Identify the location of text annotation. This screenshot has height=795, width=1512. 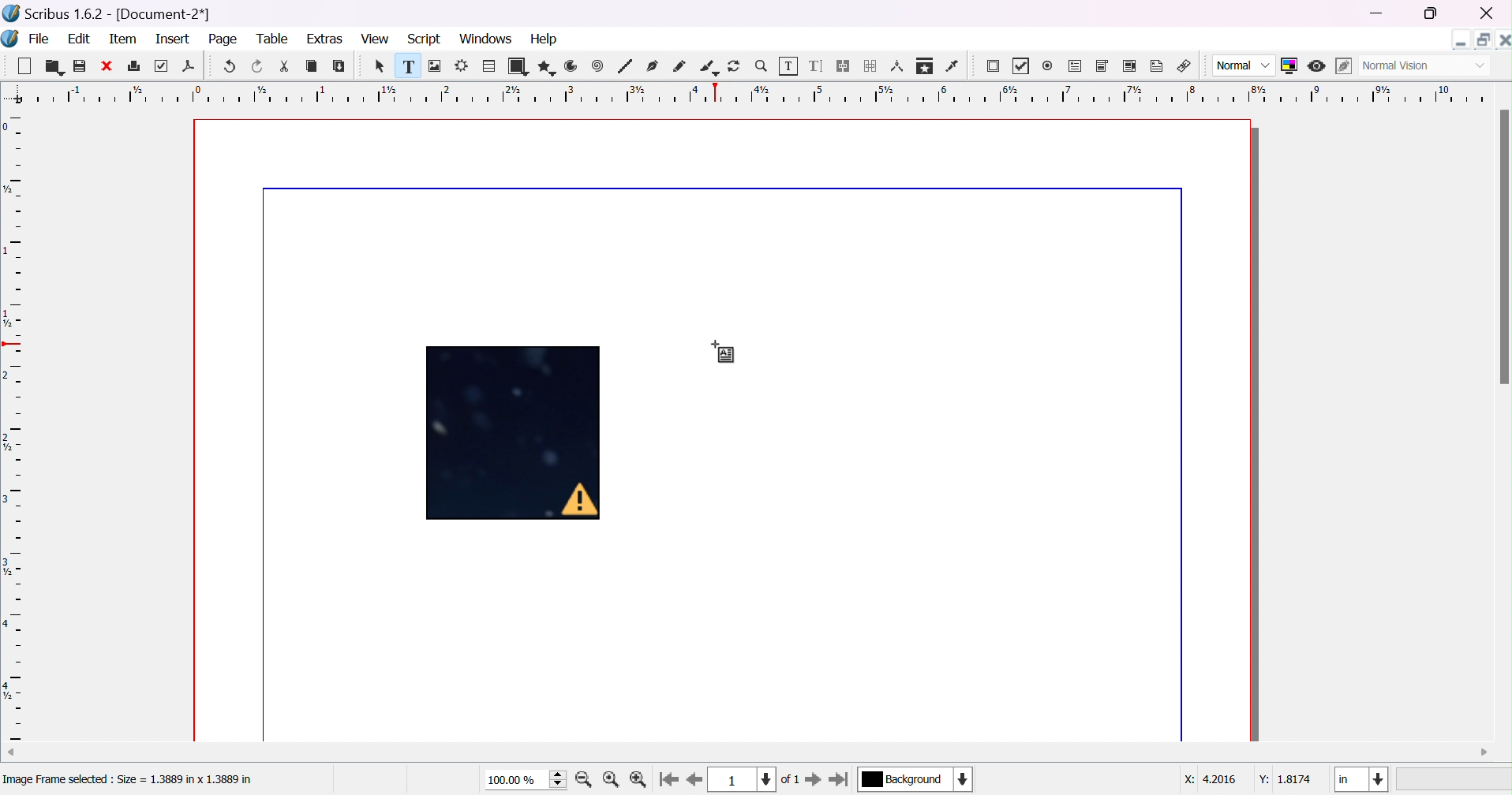
(1158, 64).